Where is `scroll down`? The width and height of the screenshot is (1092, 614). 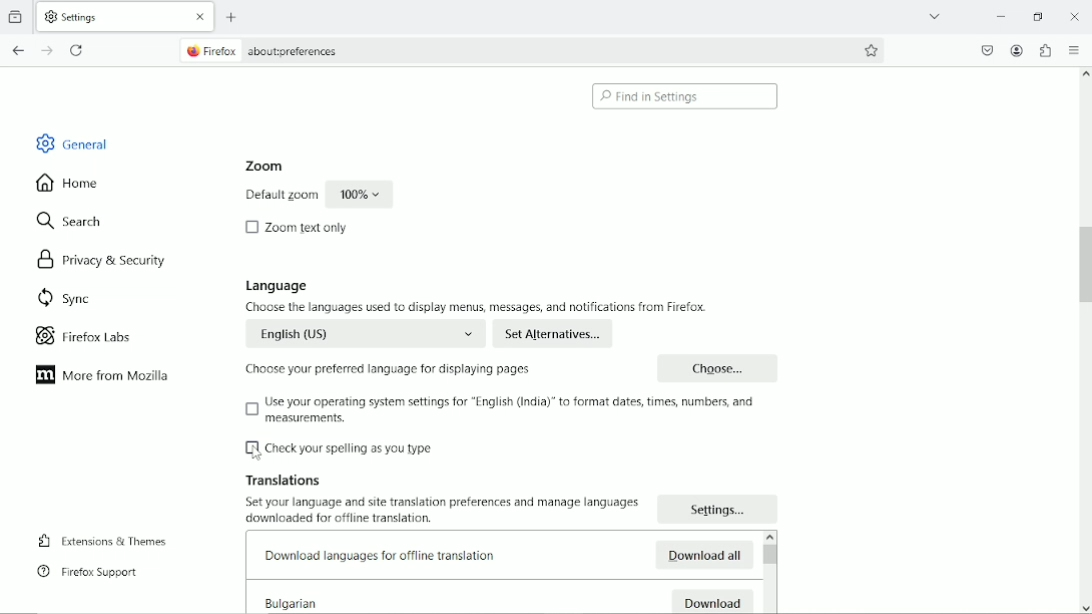
scroll down is located at coordinates (1085, 607).